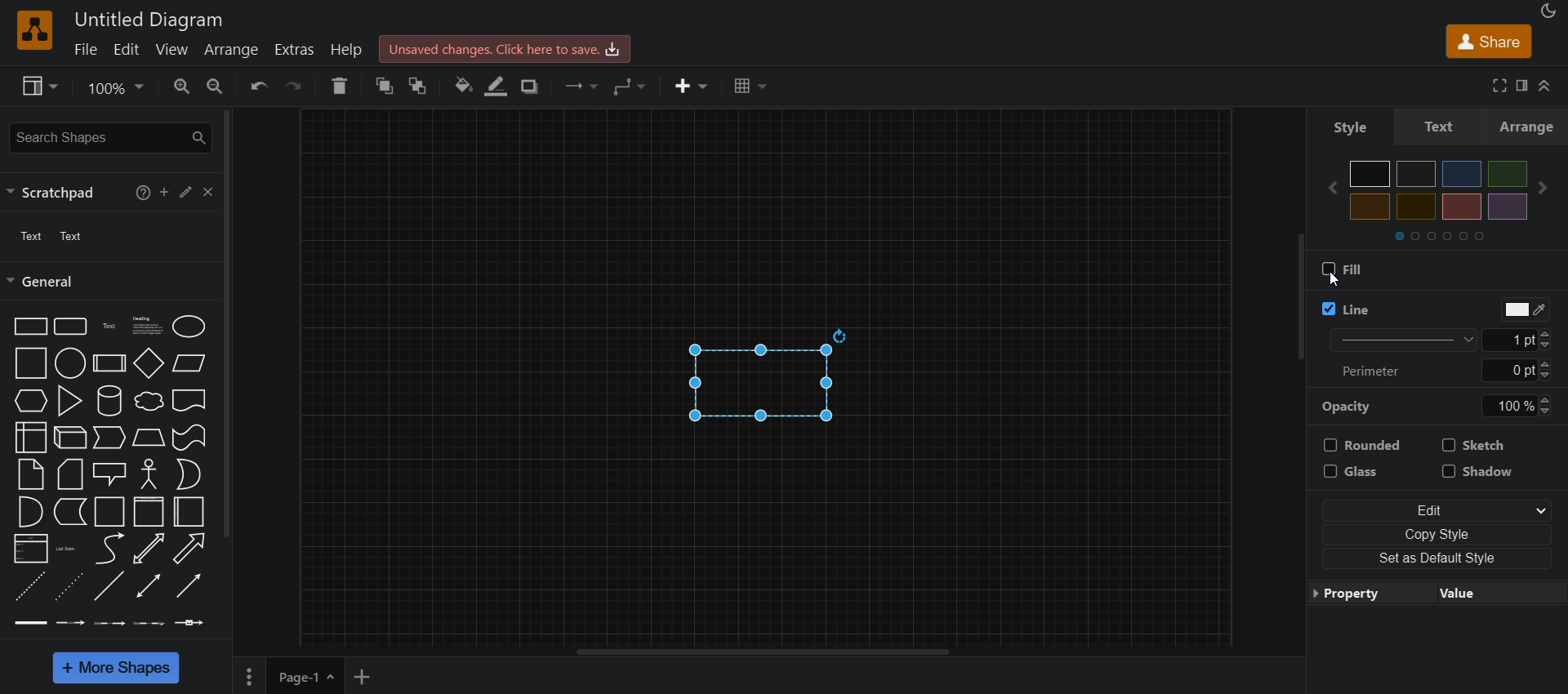 Image resolution: width=1568 pixels, height=694 pixels. What do you see at coordinates (29, 326) in the screenshot?
I see `rectangle` at bounding box center [29, 326].